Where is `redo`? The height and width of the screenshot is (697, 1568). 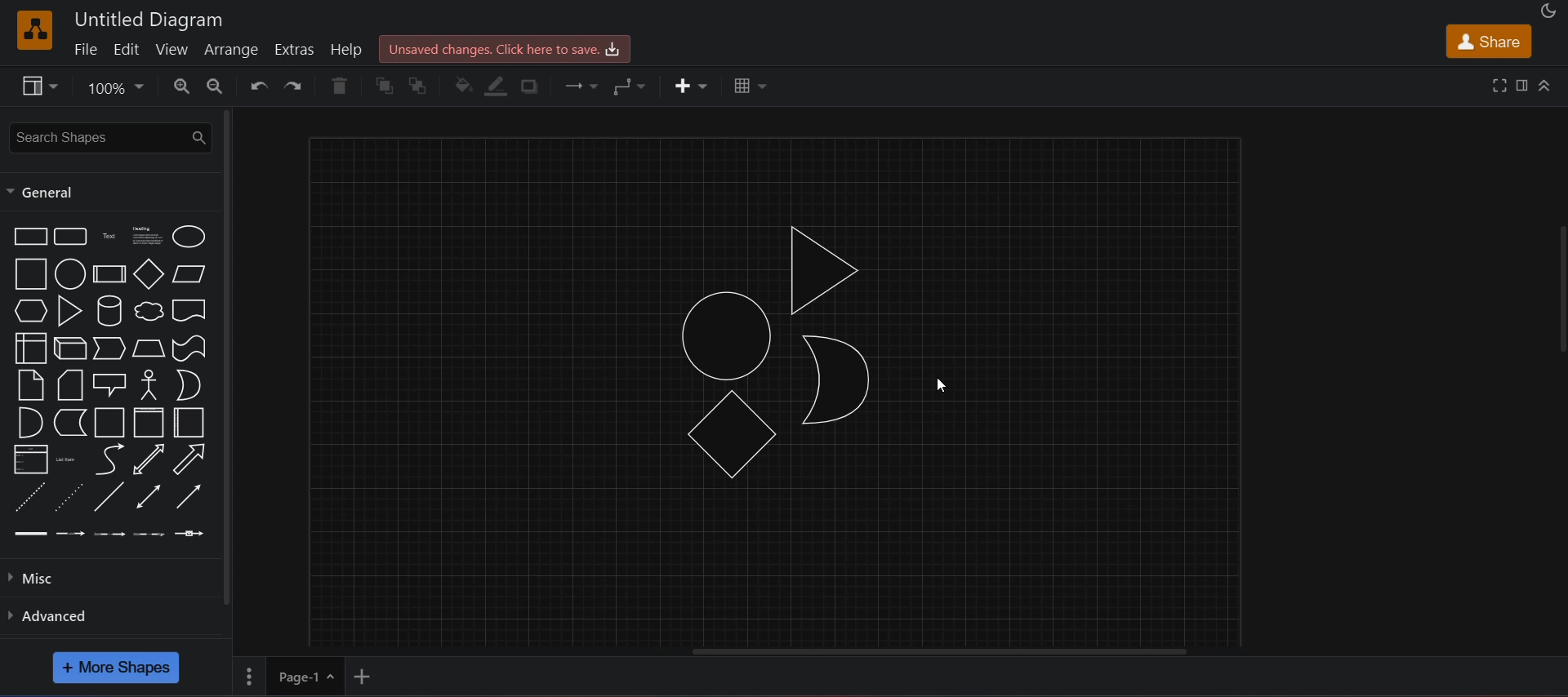
redo is located at coordinates (299, 86).